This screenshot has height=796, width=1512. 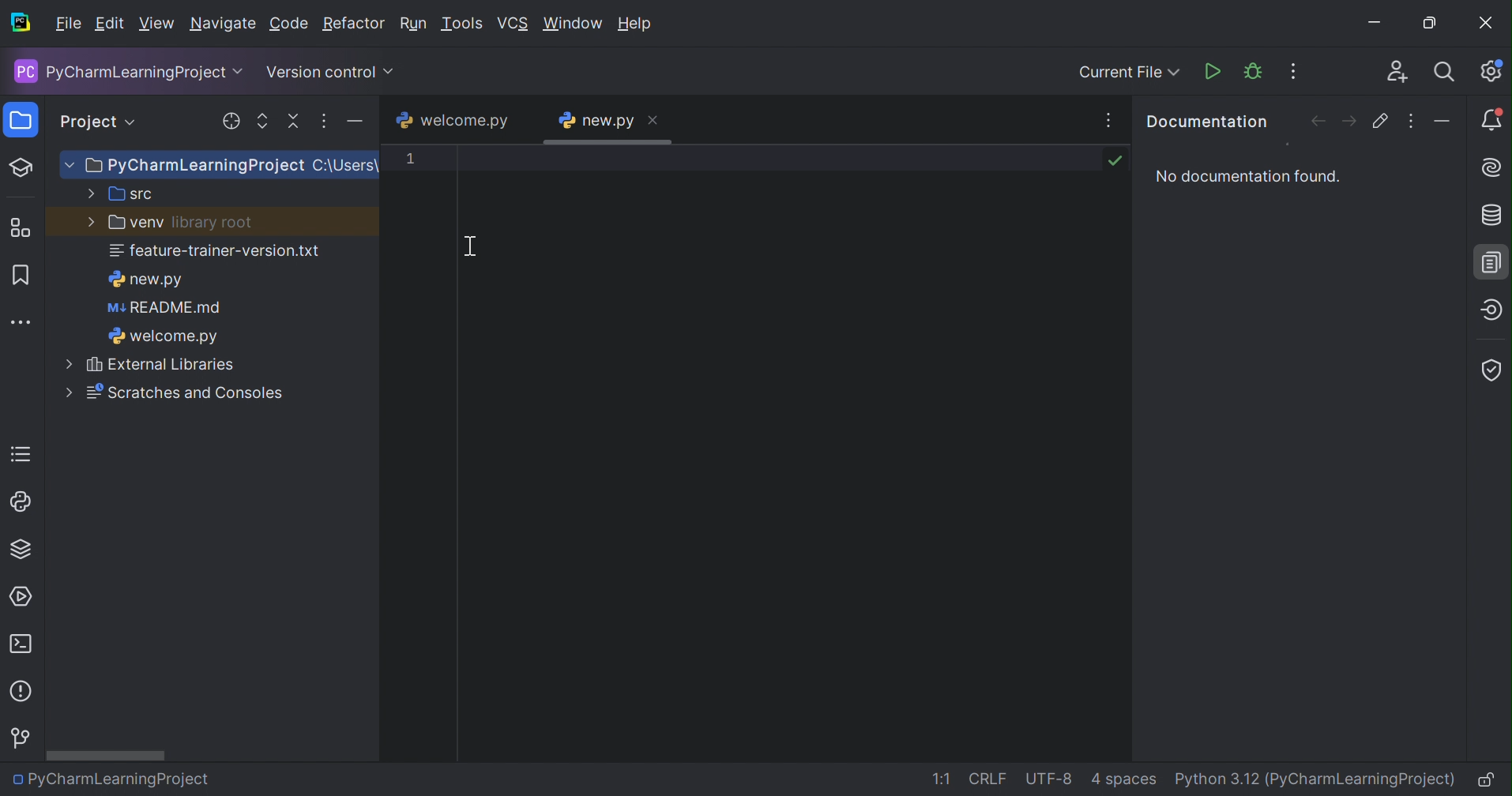 I want to click on UTF-8, so click(x=1053, y=777).